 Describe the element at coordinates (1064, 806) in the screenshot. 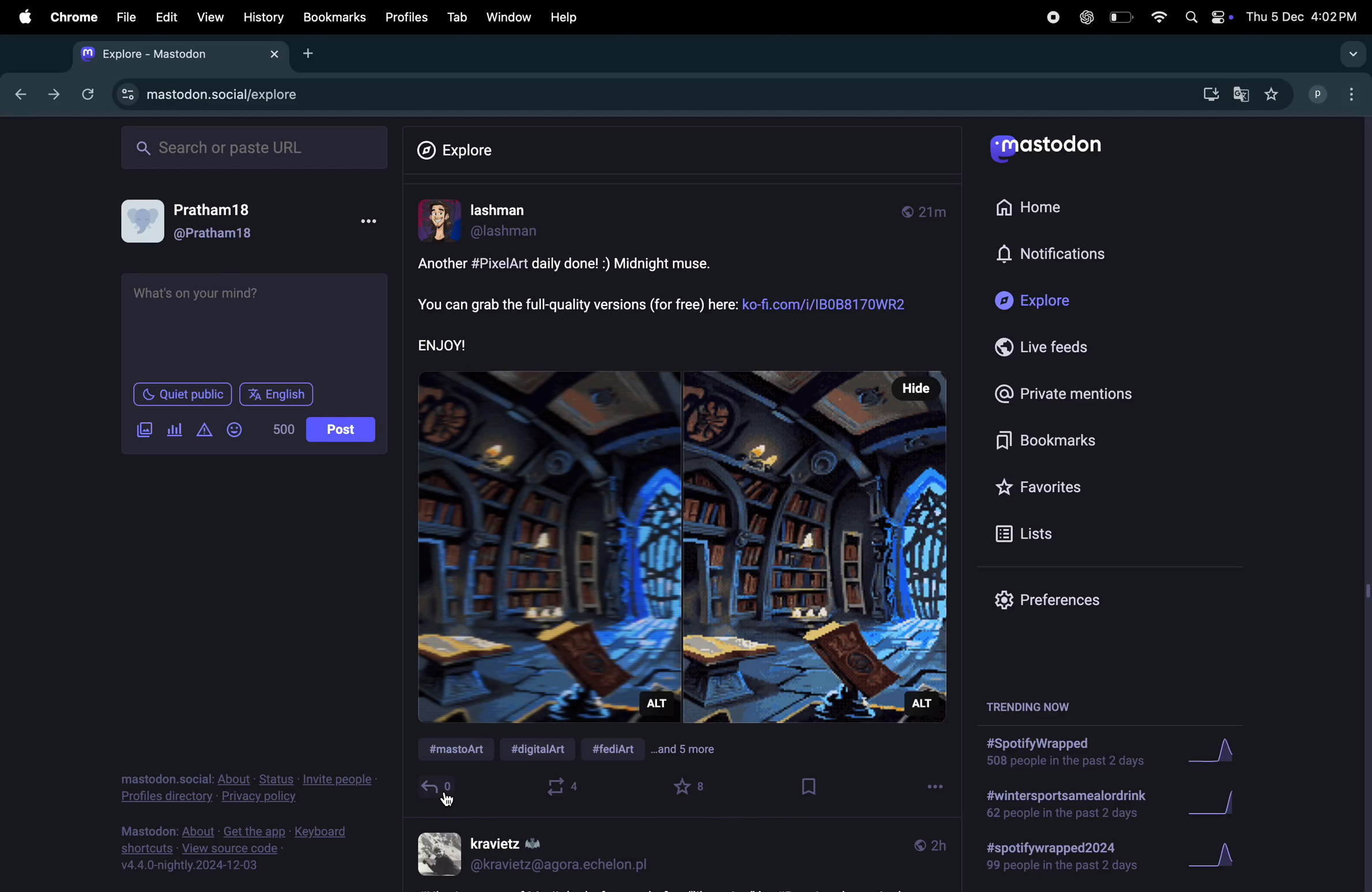

I see `wintersport drink` at that location.